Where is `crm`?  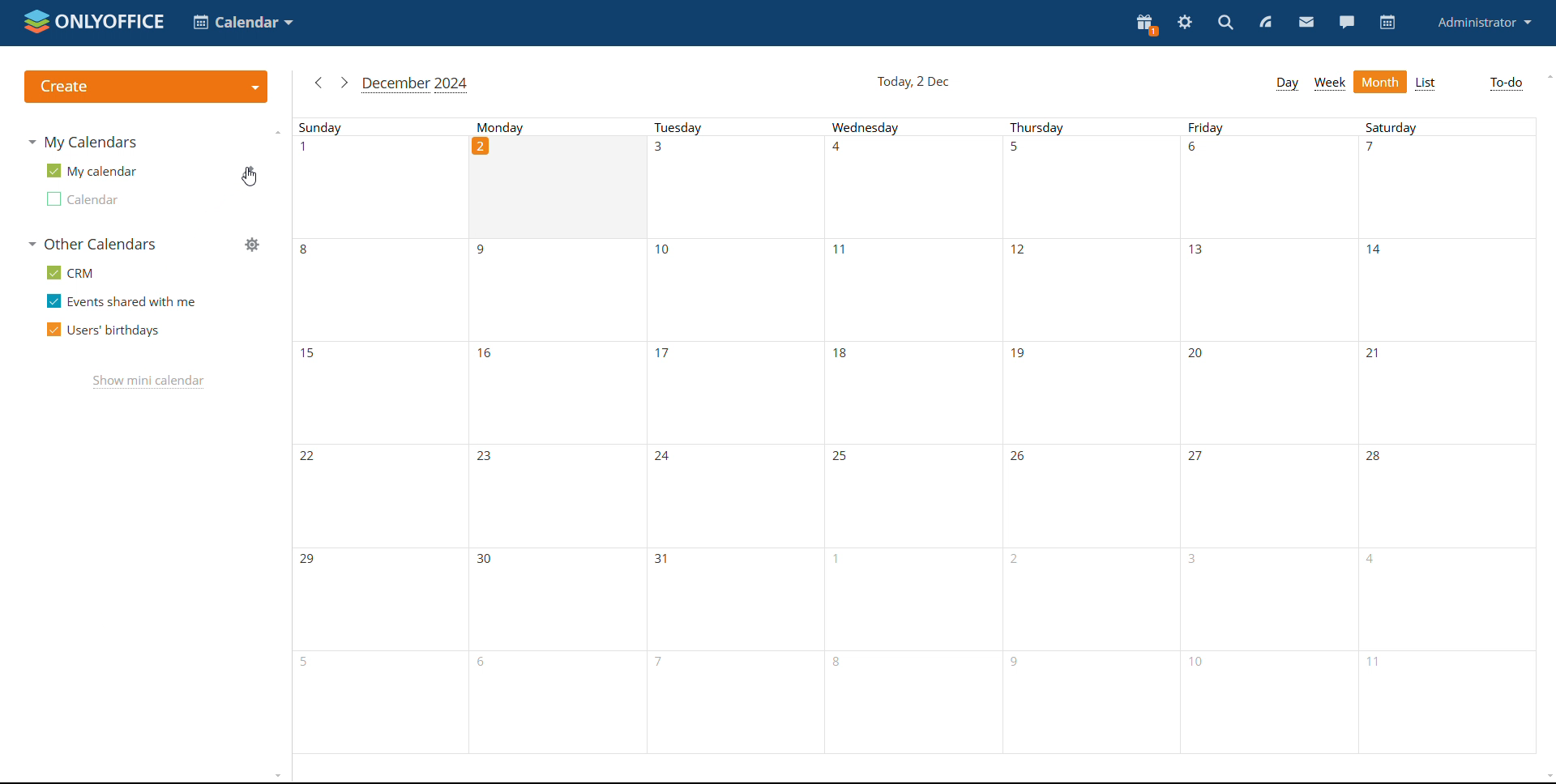
crm is located at coordinates (72, 271).